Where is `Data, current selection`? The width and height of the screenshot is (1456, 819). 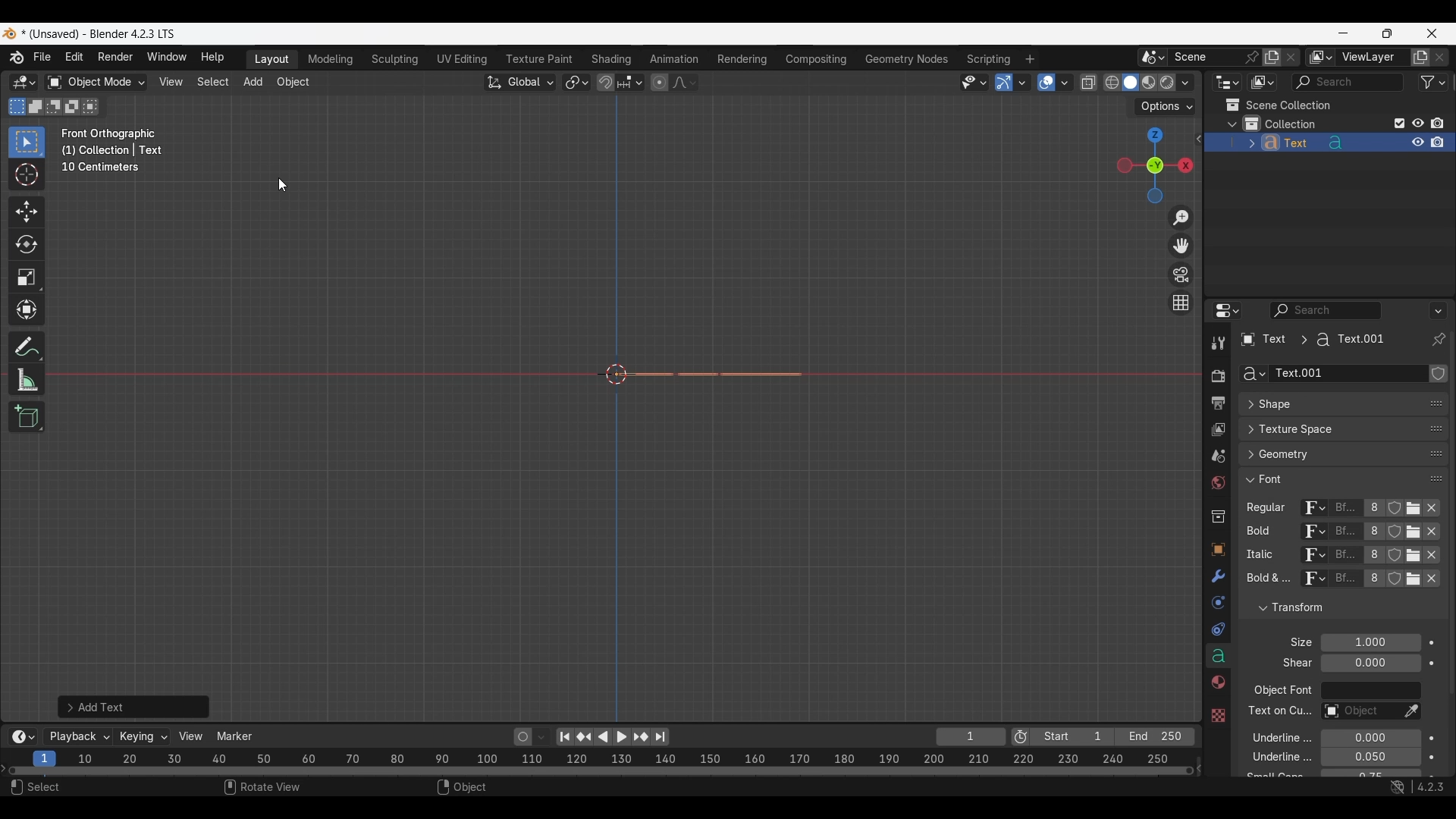
Data, current selection is located at coordinates (1218, 656).